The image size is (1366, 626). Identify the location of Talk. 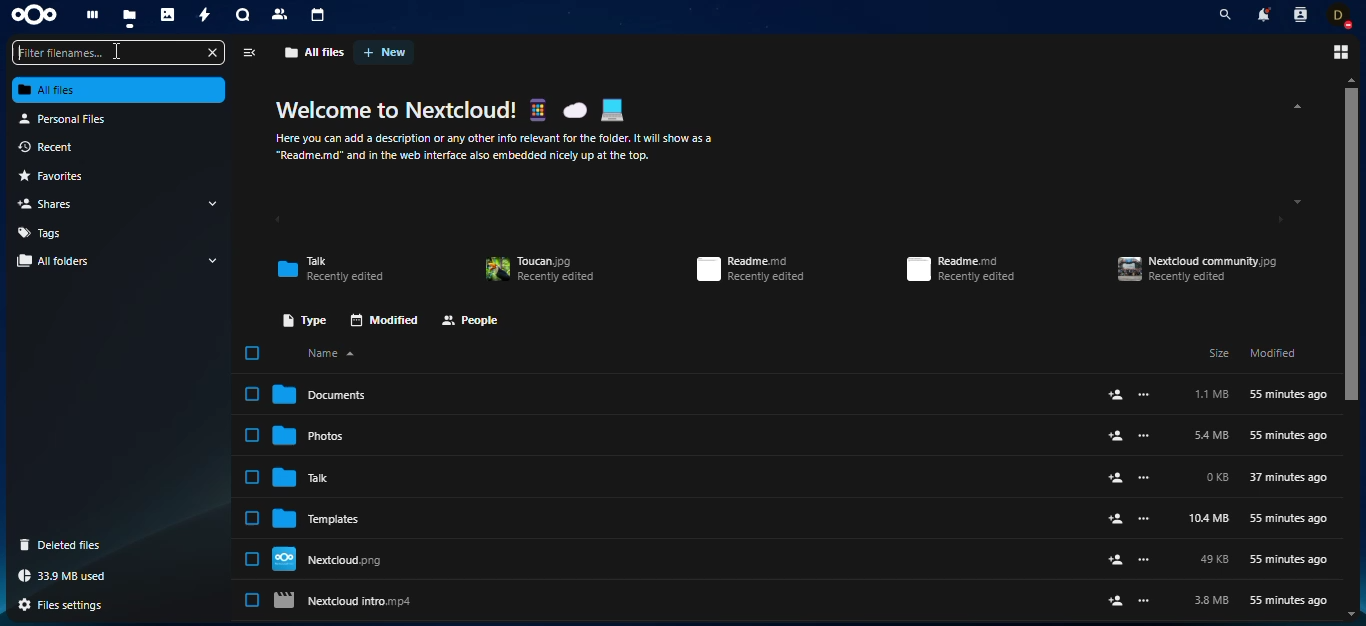
(685, 476).